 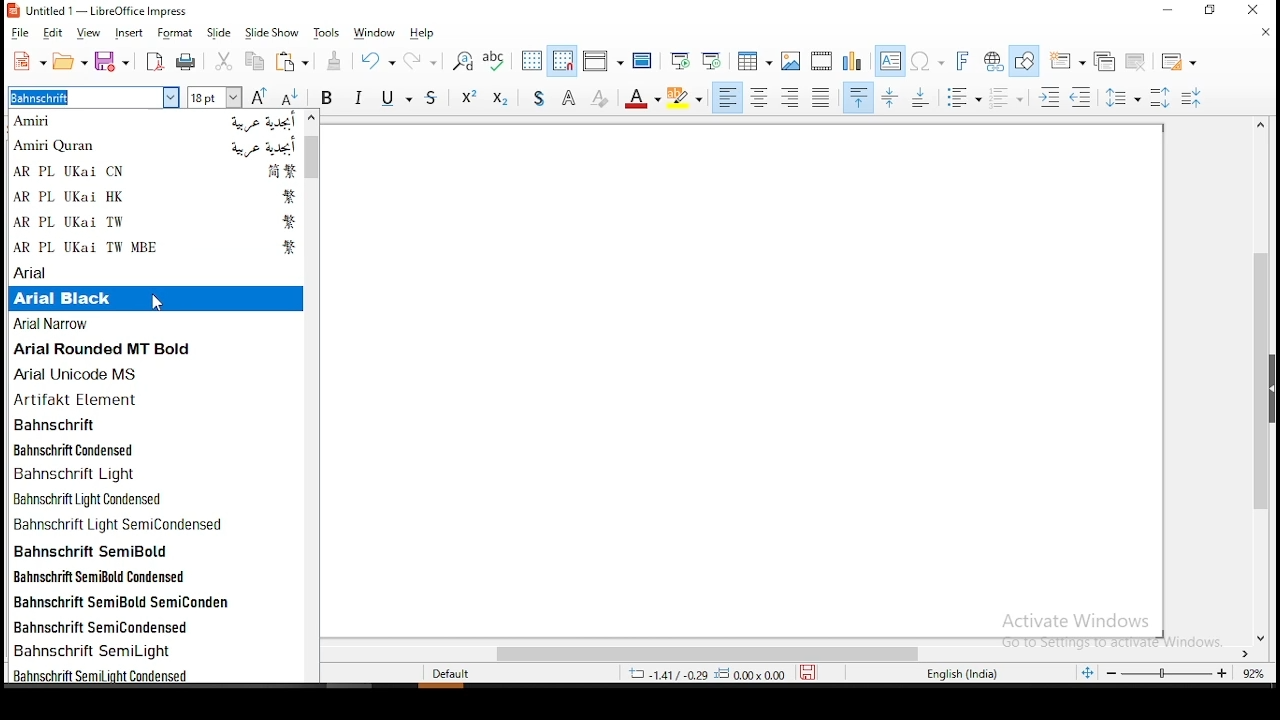 What do you see at coordinates (1207, 11) in the screenshot?
I see `restore` at bounding box center [1207, 11].